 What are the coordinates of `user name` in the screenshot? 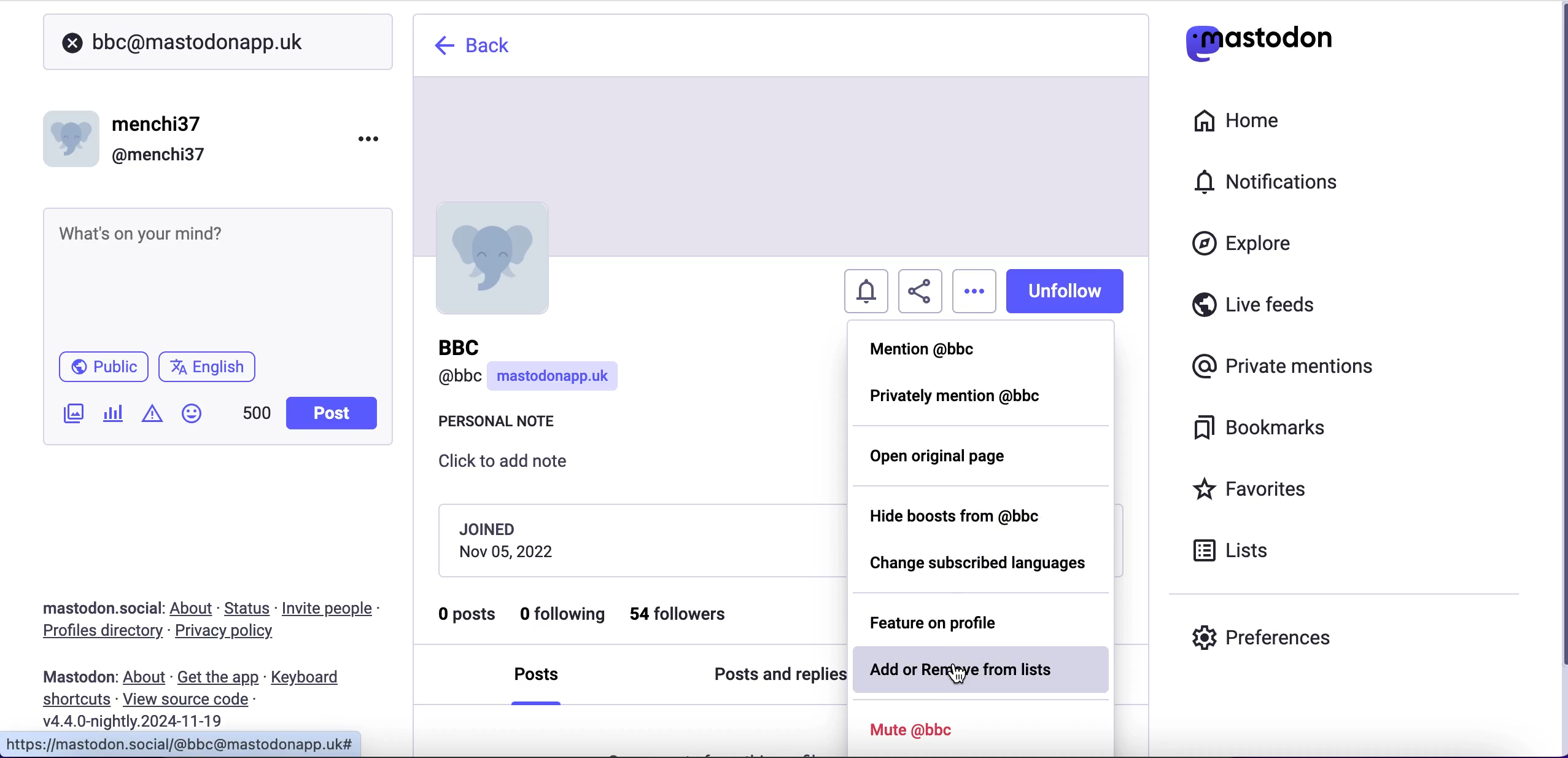 It's located at (537, 368).